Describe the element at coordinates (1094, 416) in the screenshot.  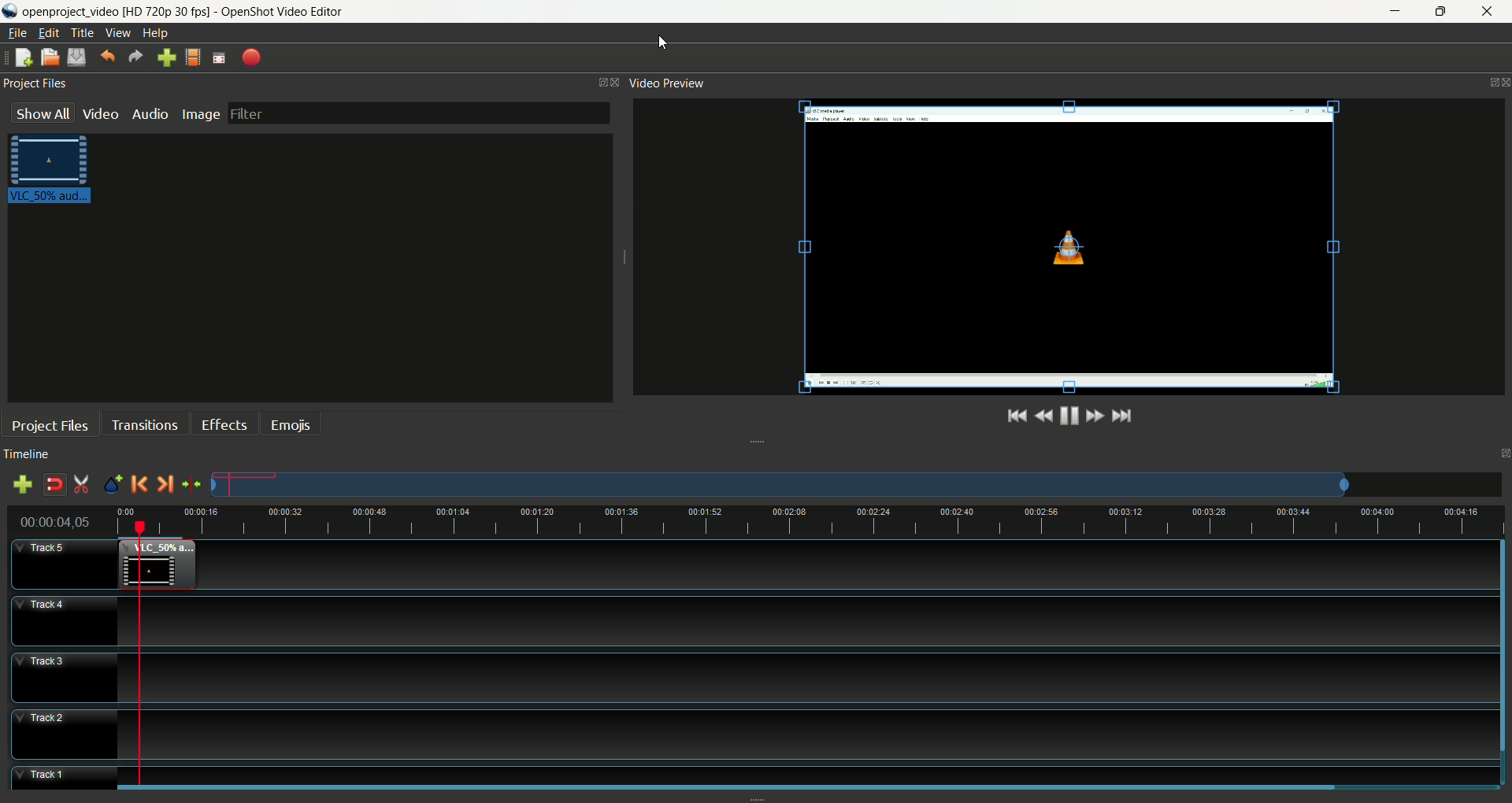
I see `fast forward` at that location.